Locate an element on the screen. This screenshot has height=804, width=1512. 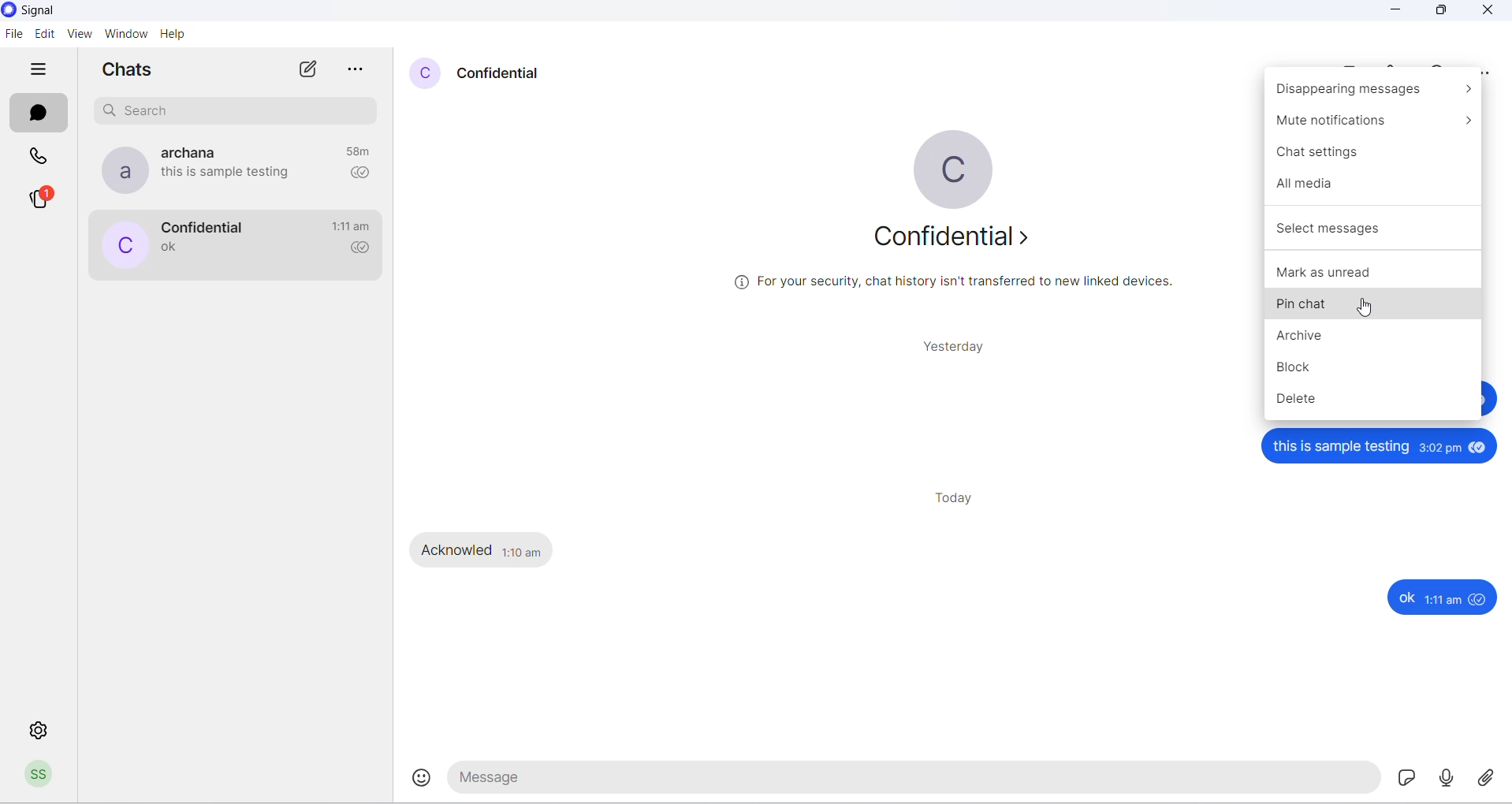
yesterday messages heading is located at coordinates (955, 347).